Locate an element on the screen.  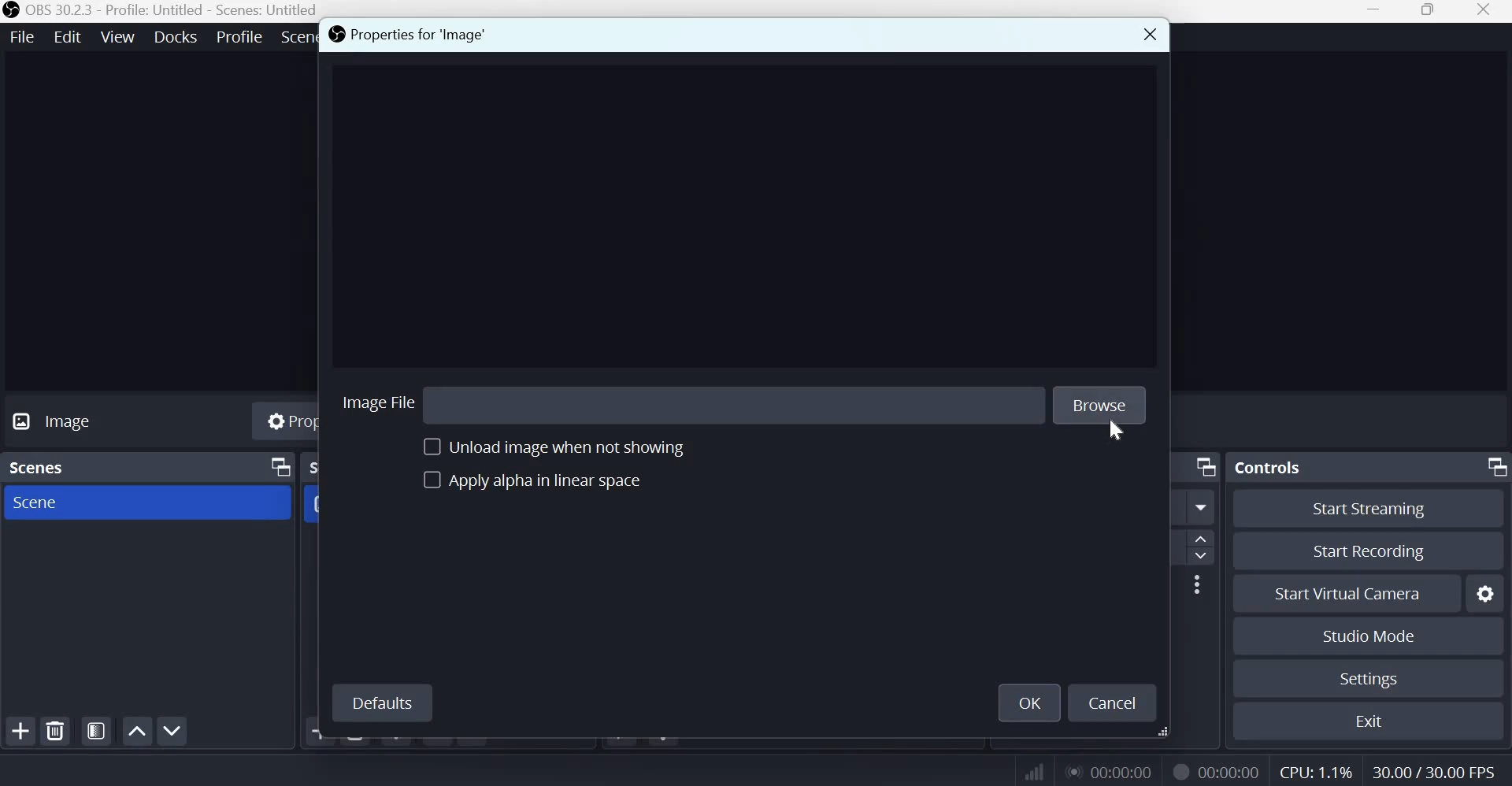
Unload image when not showing is located at coordinates (569, 445).